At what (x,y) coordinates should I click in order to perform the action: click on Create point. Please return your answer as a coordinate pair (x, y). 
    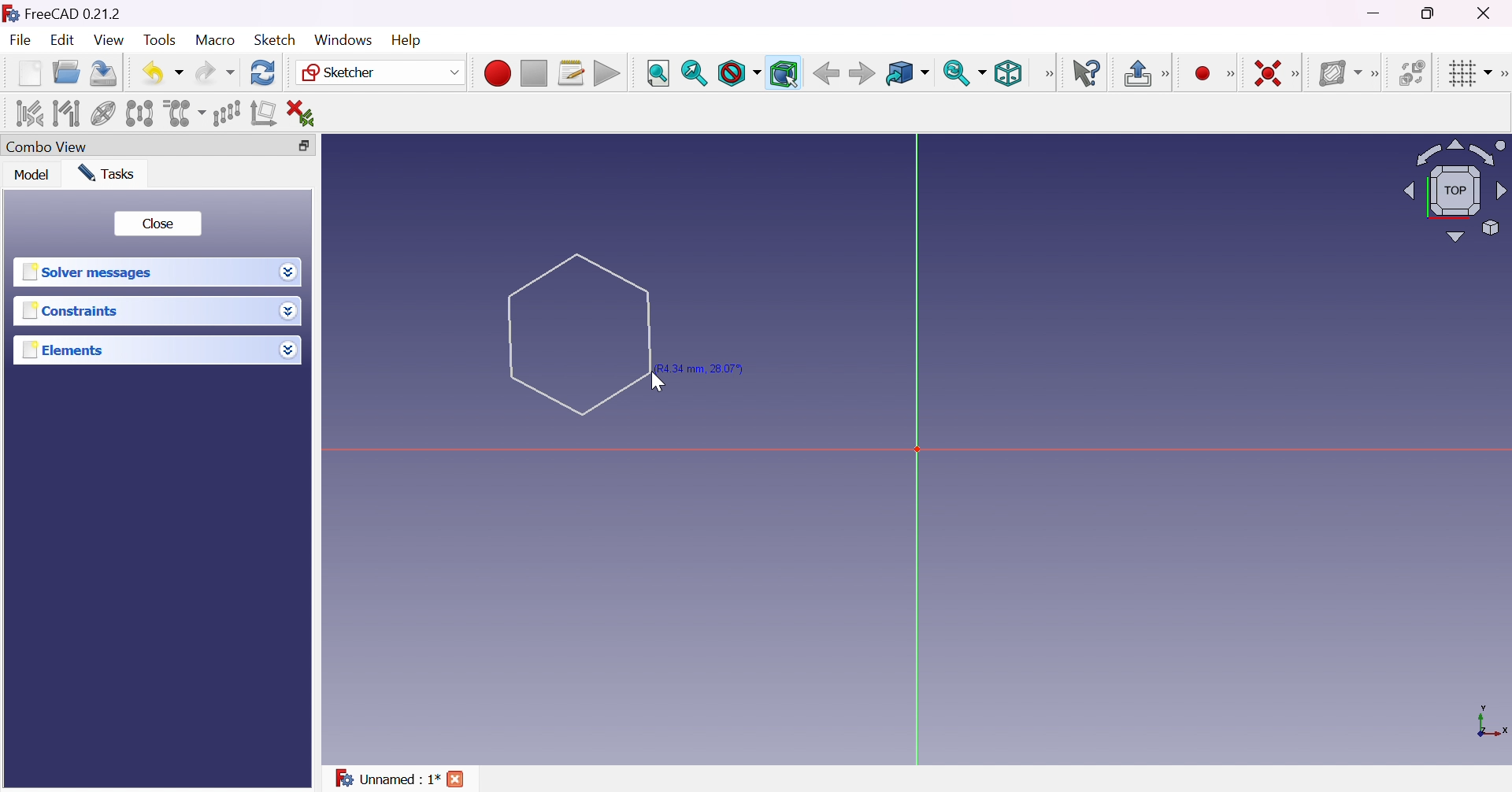
    Looking at the image, I should click on (1204, 74).